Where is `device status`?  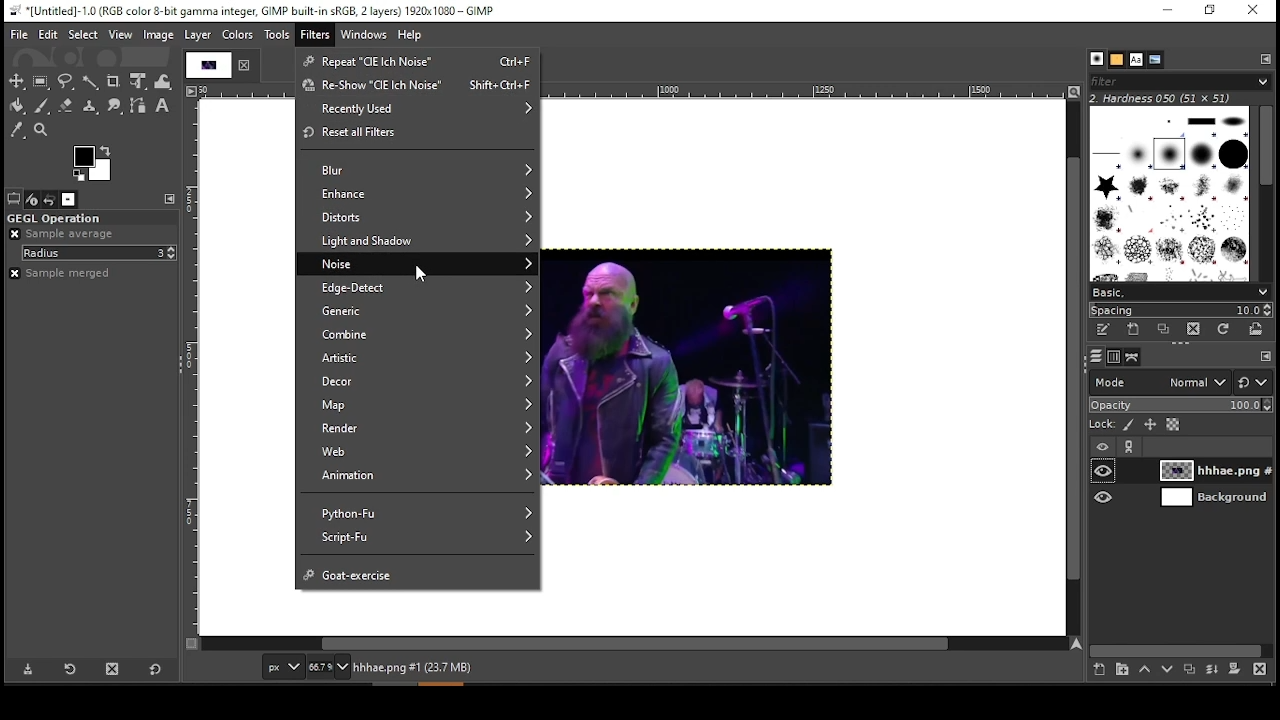
device status is located at coordinates (31, 198).